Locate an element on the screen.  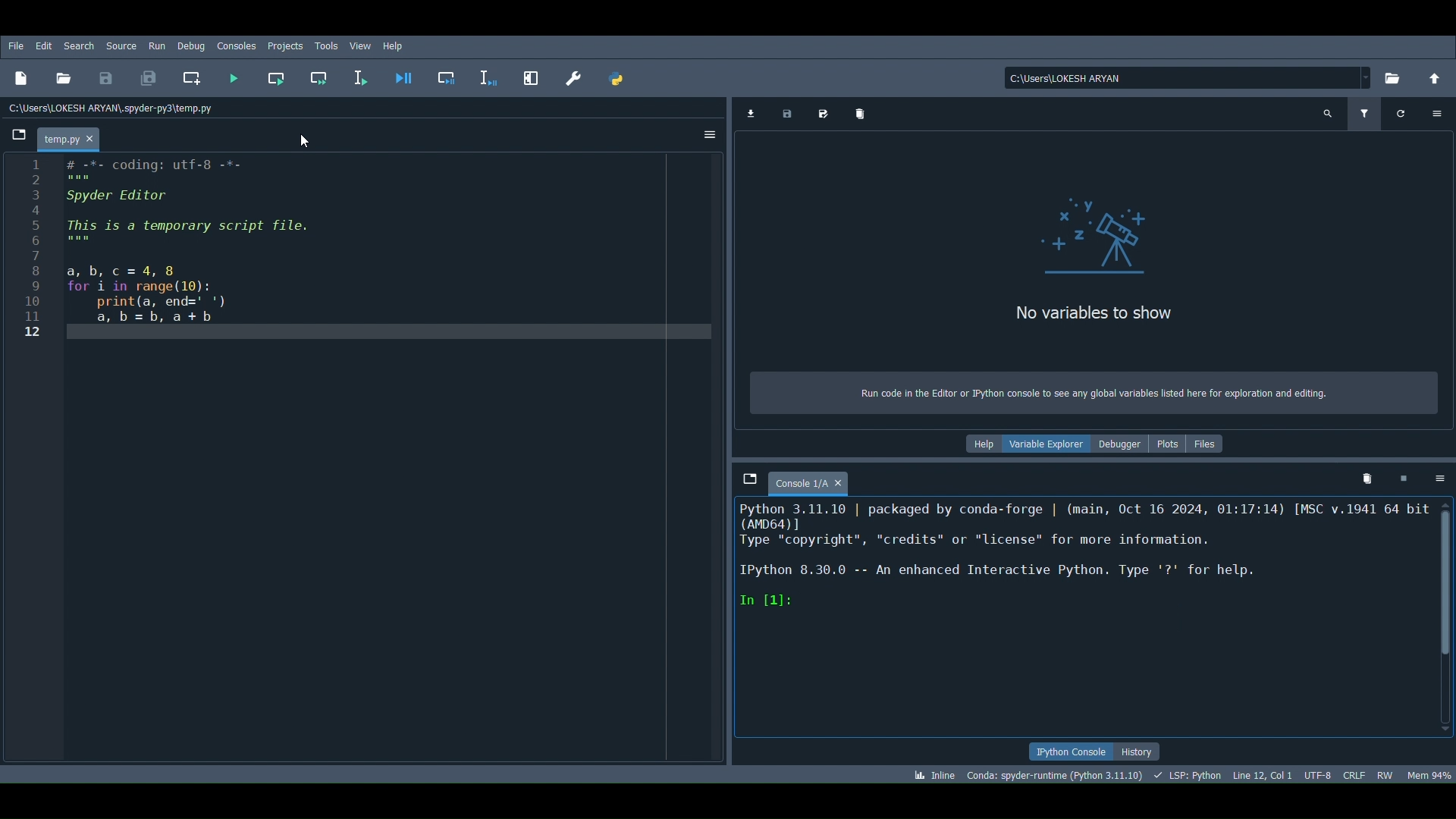
Search is located at coordinates (79, 45).